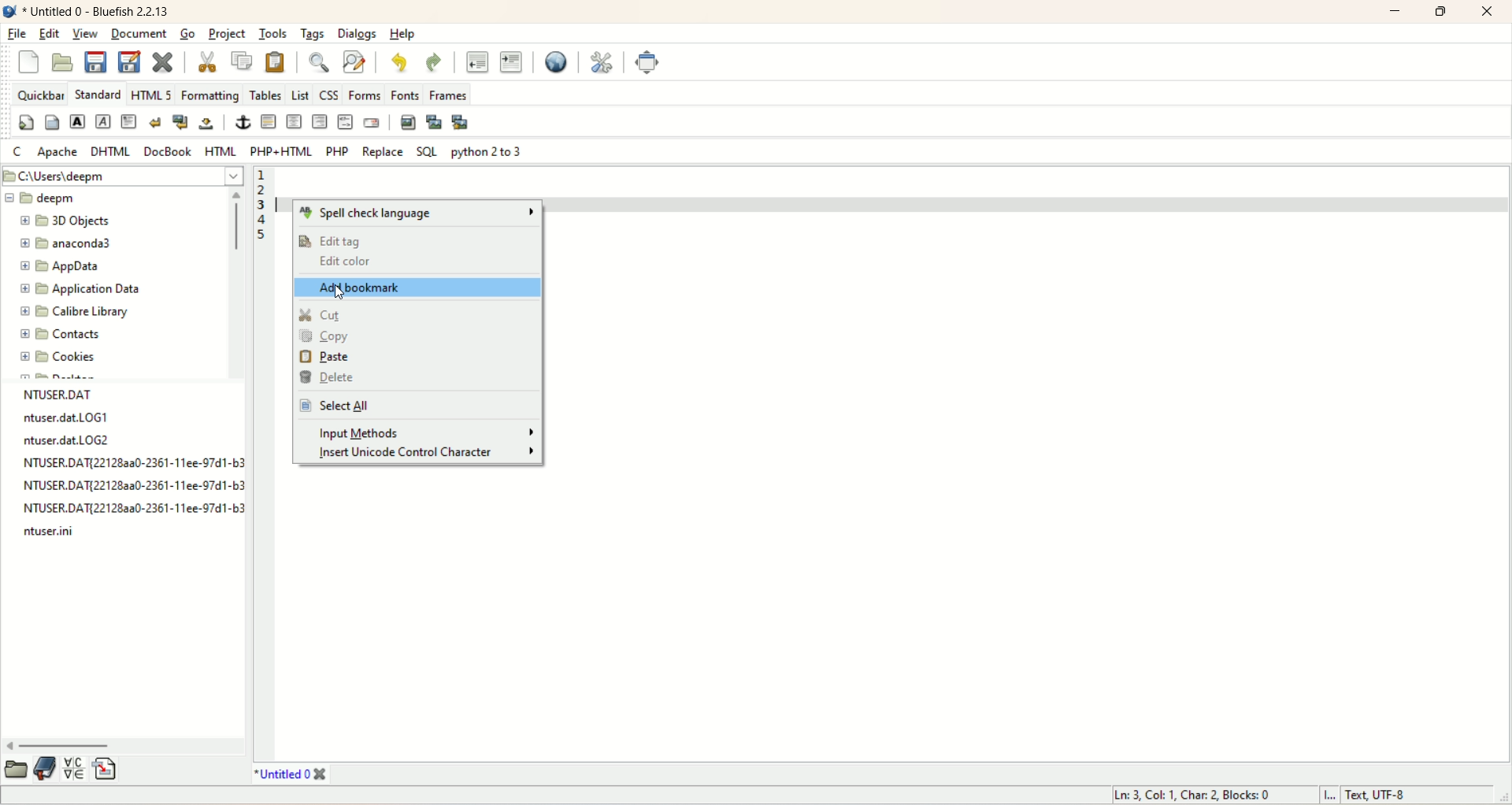 This screenshot has width=1512, height=805. I want to click on unindent, so click(473, 63).